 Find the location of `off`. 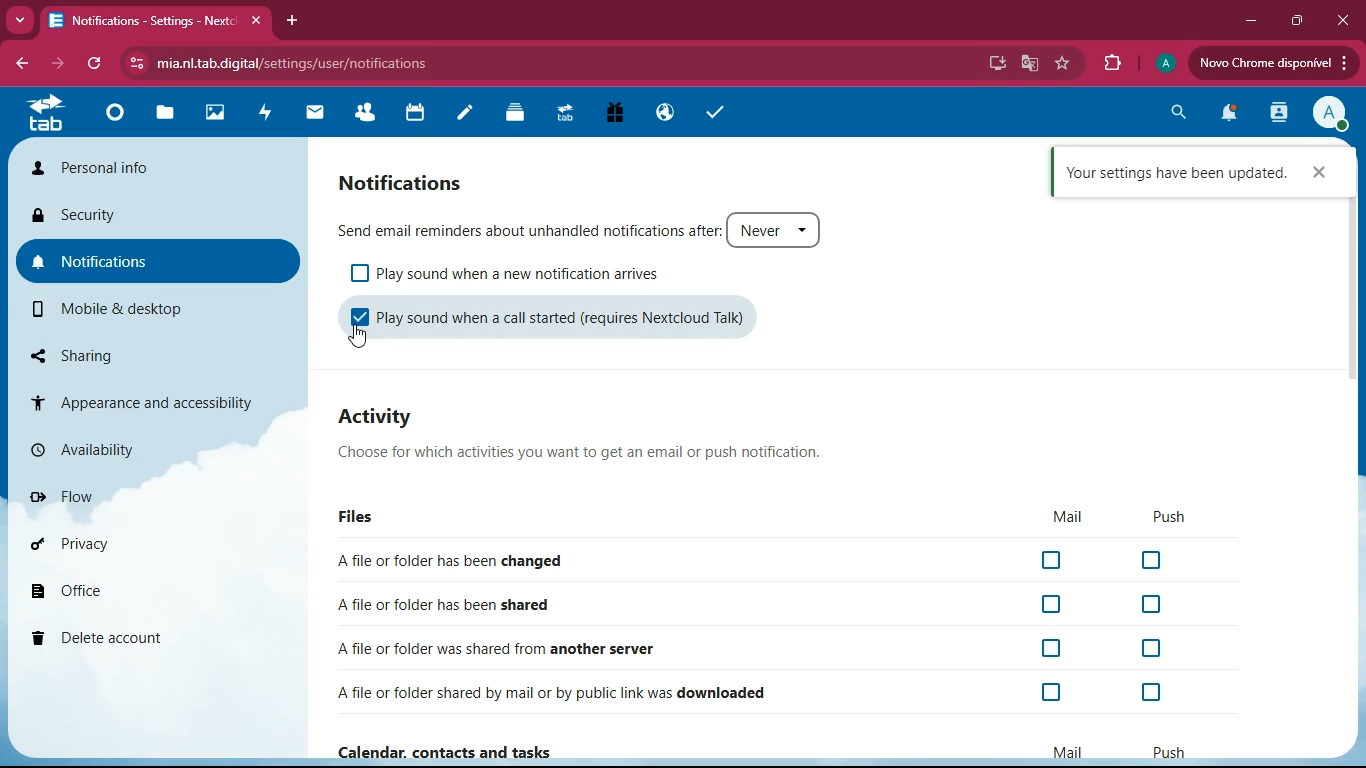

off is located at coordinates (1154, 603).